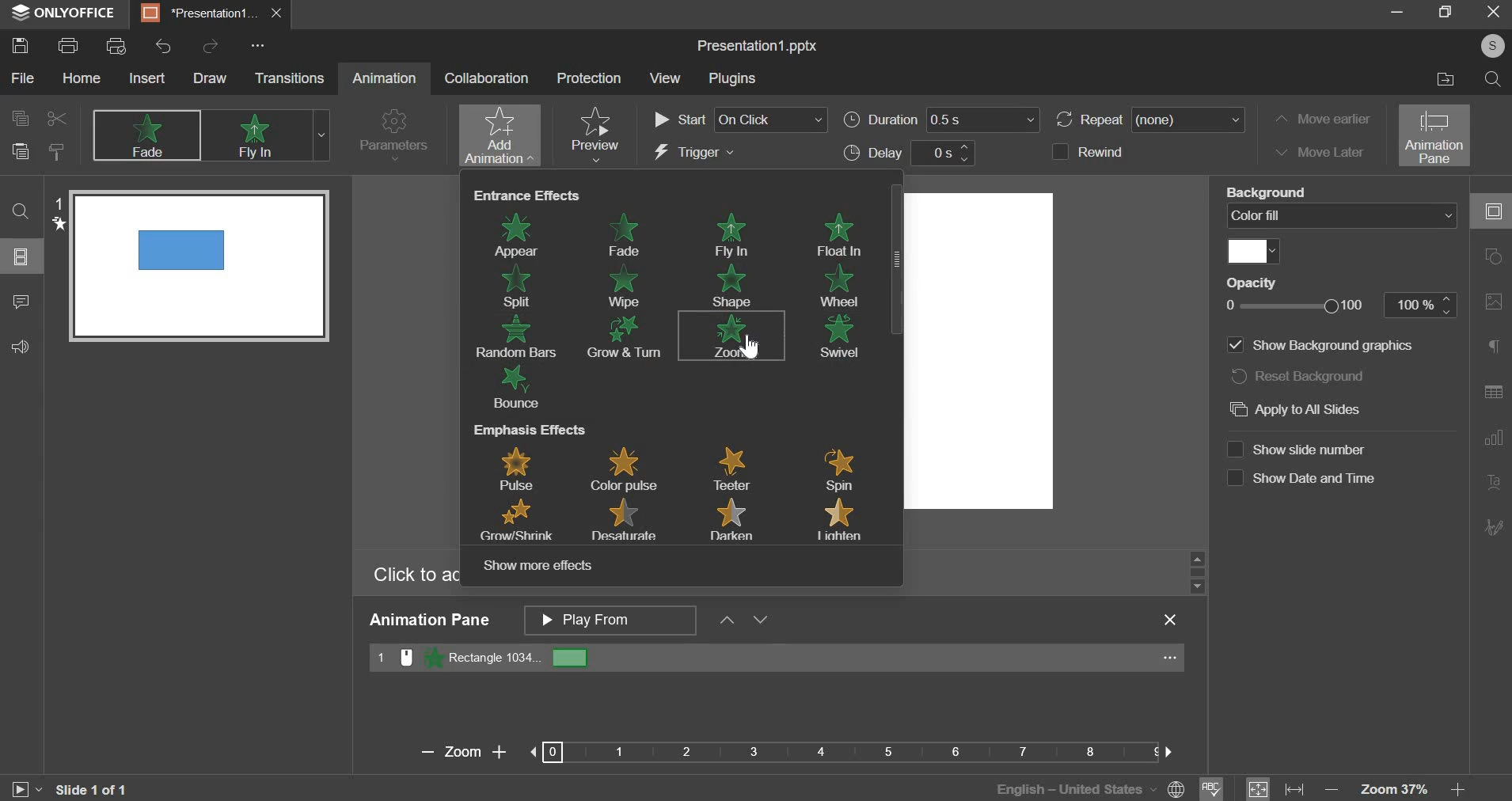 This screenshot has height=801, width=1512. Describe the element at coordinates (1302, 447) in the screenshot. I see `Show slide number` at that location.